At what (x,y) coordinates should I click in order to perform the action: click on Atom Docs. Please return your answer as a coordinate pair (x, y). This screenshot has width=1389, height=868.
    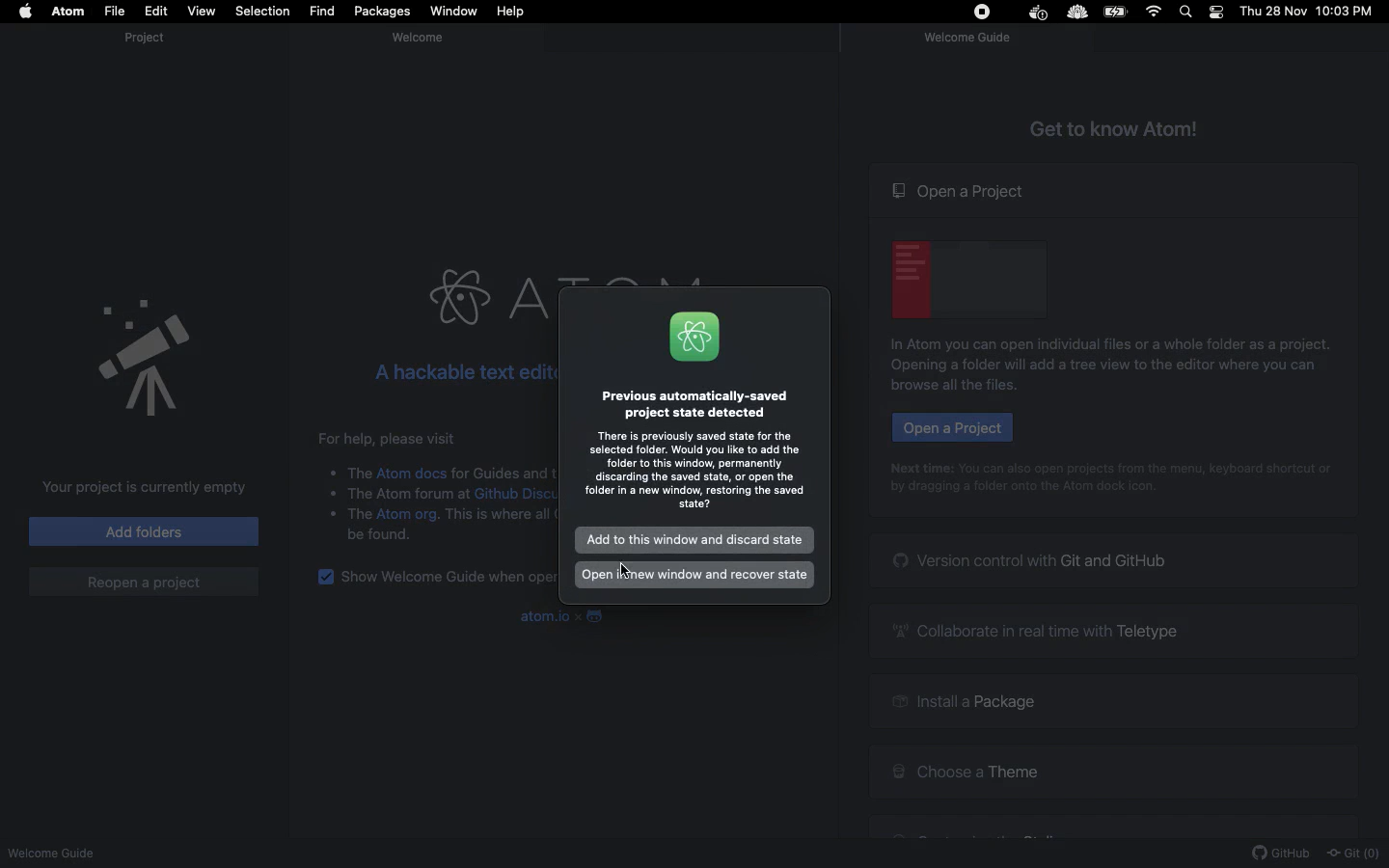
    Looking at the image, I should click on (413, 472).